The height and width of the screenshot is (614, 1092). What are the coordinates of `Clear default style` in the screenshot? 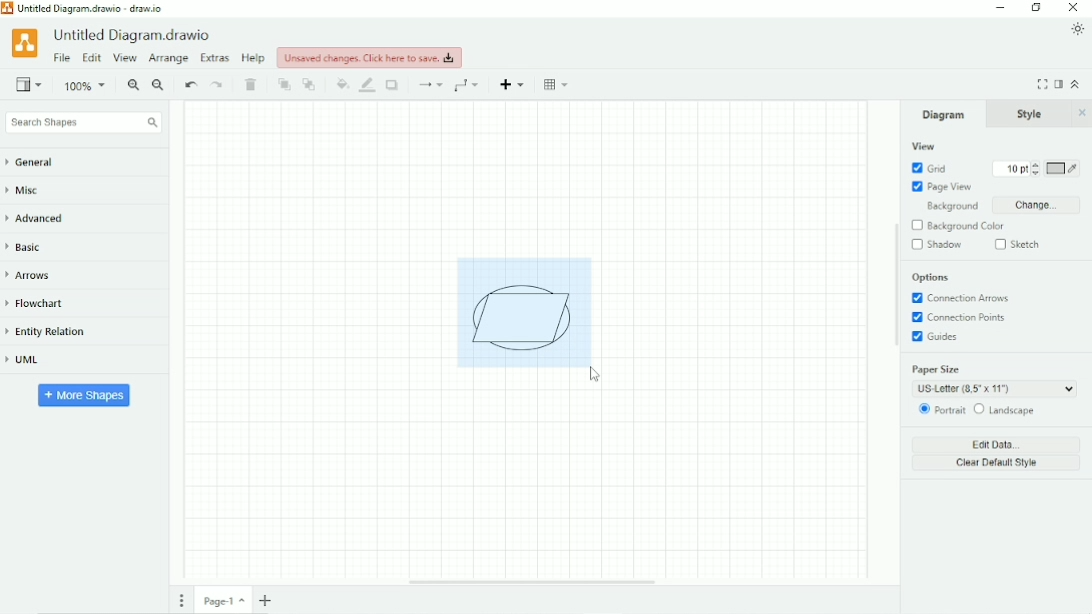 It's located at (997, 464).